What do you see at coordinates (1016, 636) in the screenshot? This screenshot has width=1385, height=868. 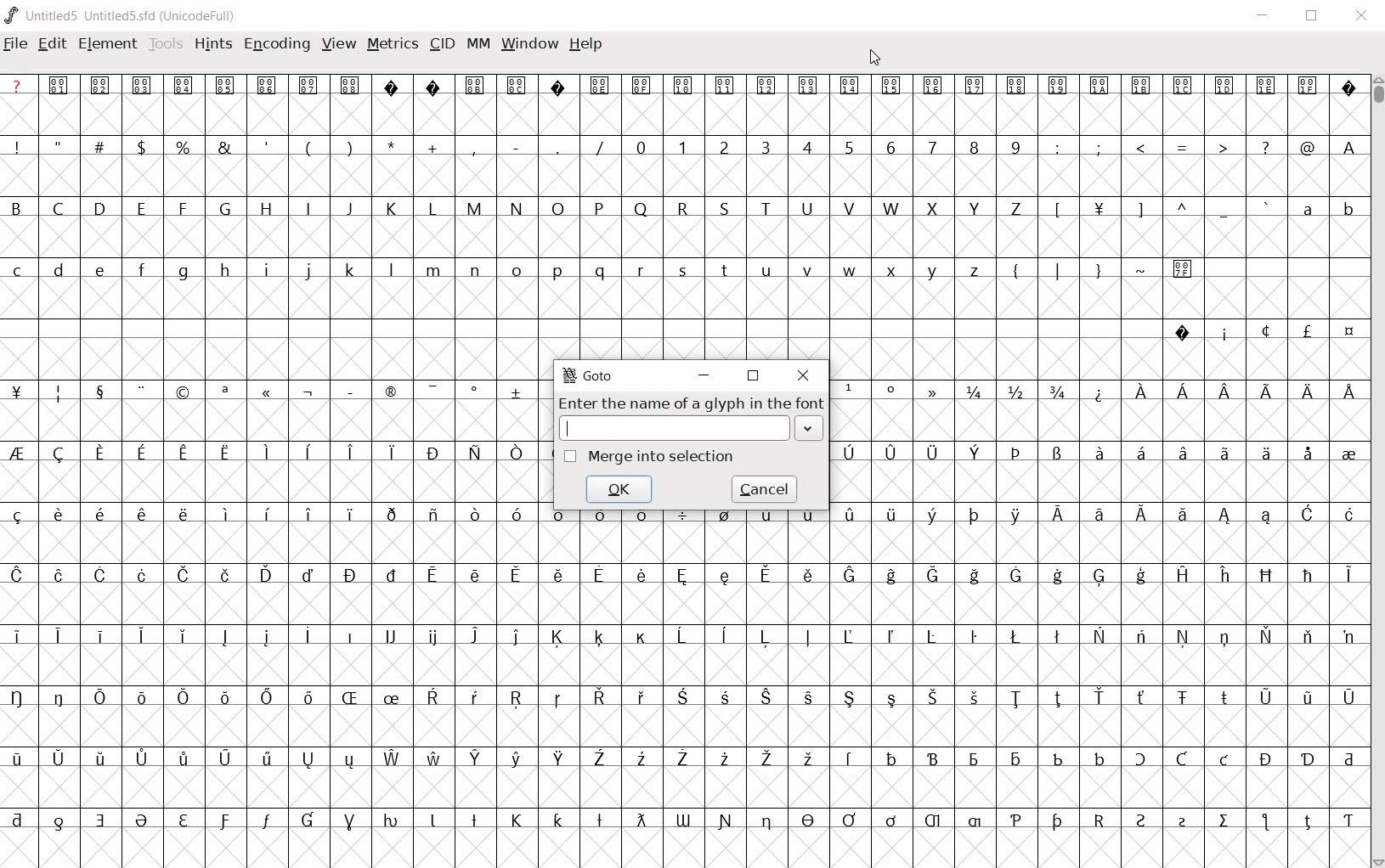 I see `Symbol` at bounding box center [1016, 636].